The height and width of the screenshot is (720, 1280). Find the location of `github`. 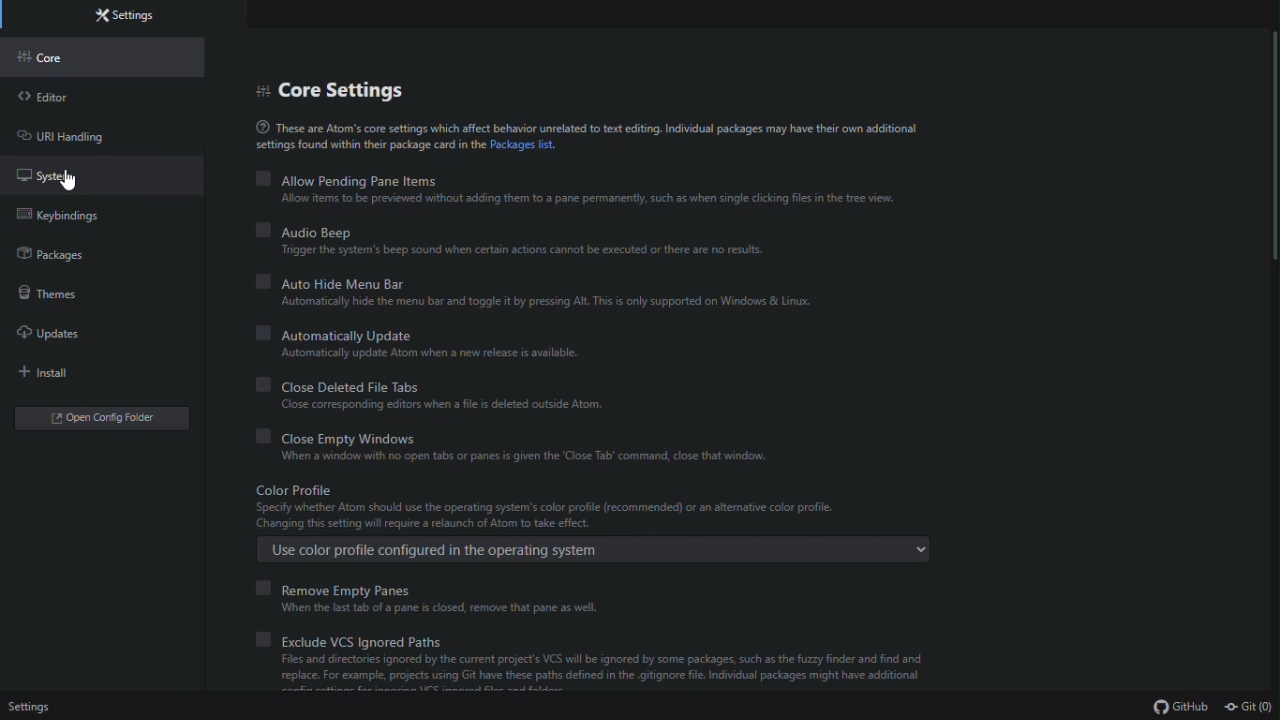

github is located at coordinates (1180, 706).